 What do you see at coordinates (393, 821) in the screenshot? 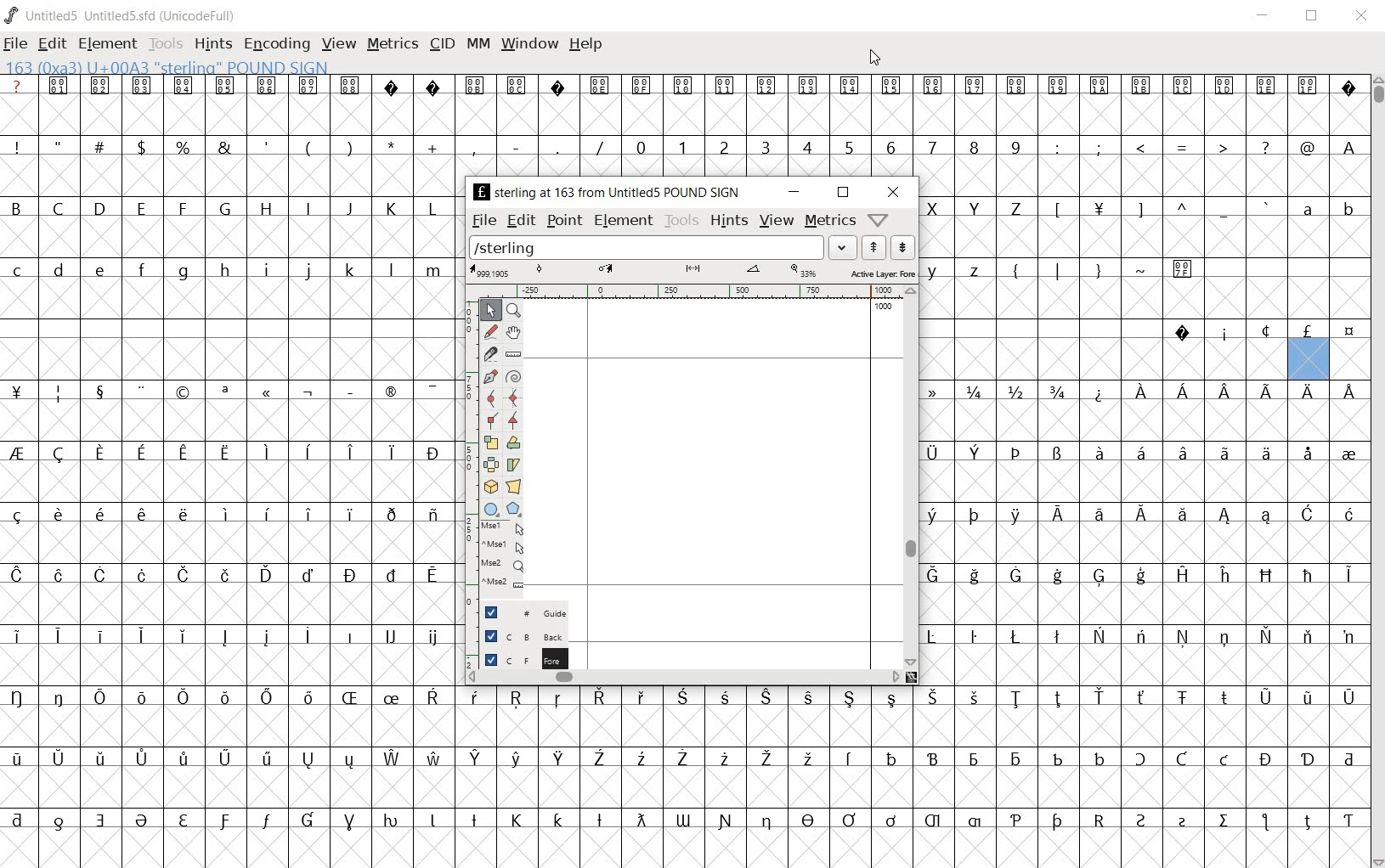
I see `Symbol` at bounding box center [393, 821].